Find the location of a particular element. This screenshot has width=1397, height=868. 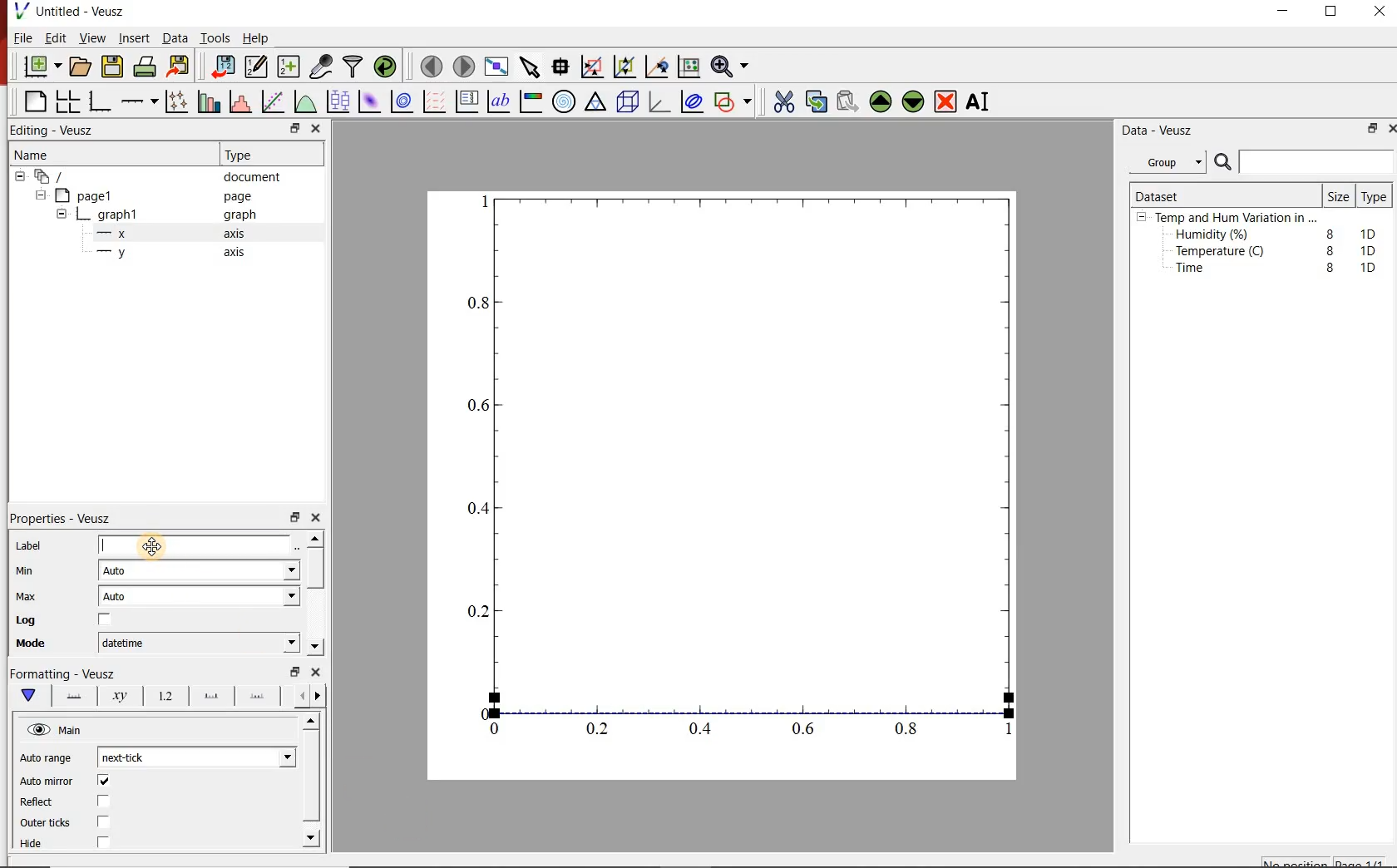

0.2 is located at coordinates (600, 730).